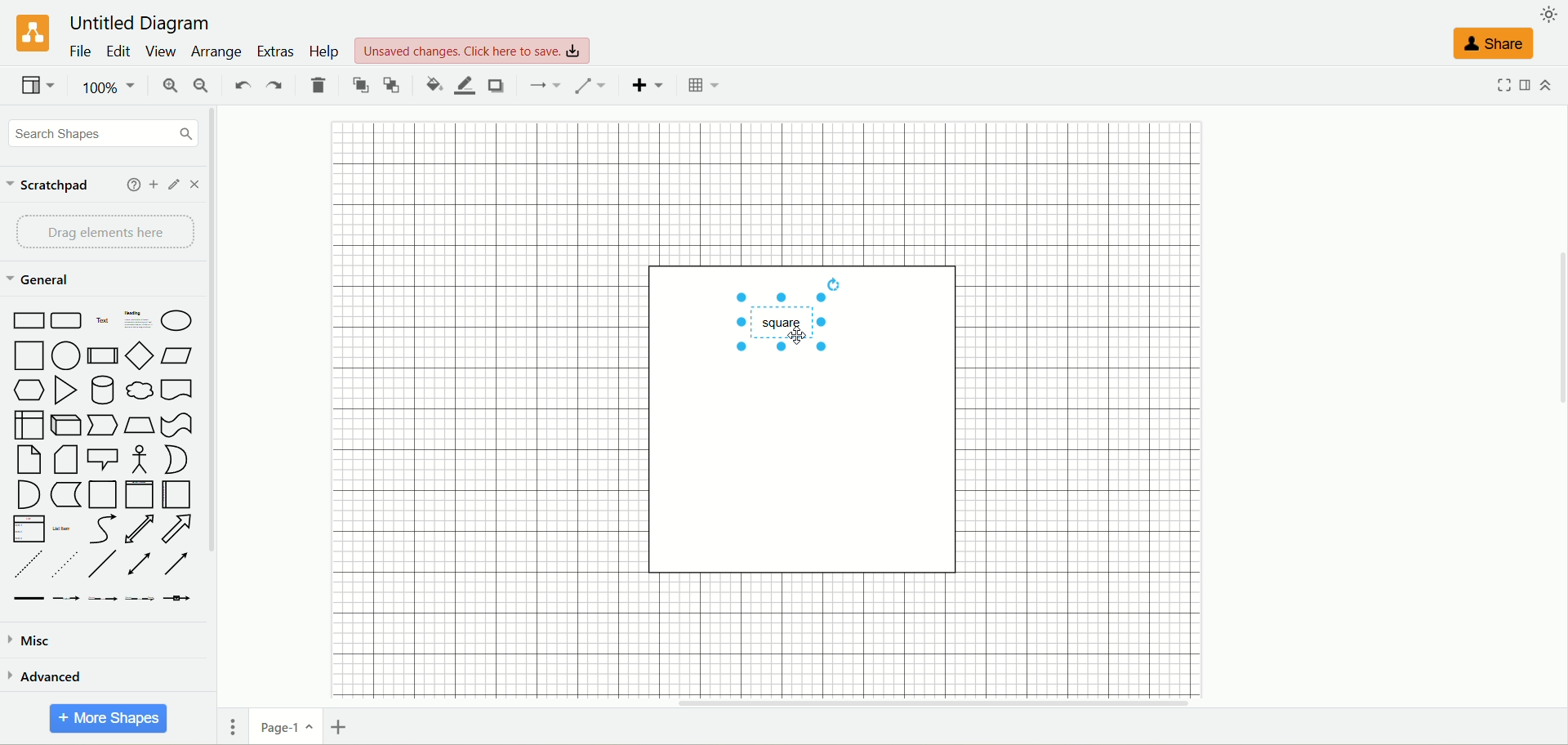  I want to click on cursor, so click(795, 338).